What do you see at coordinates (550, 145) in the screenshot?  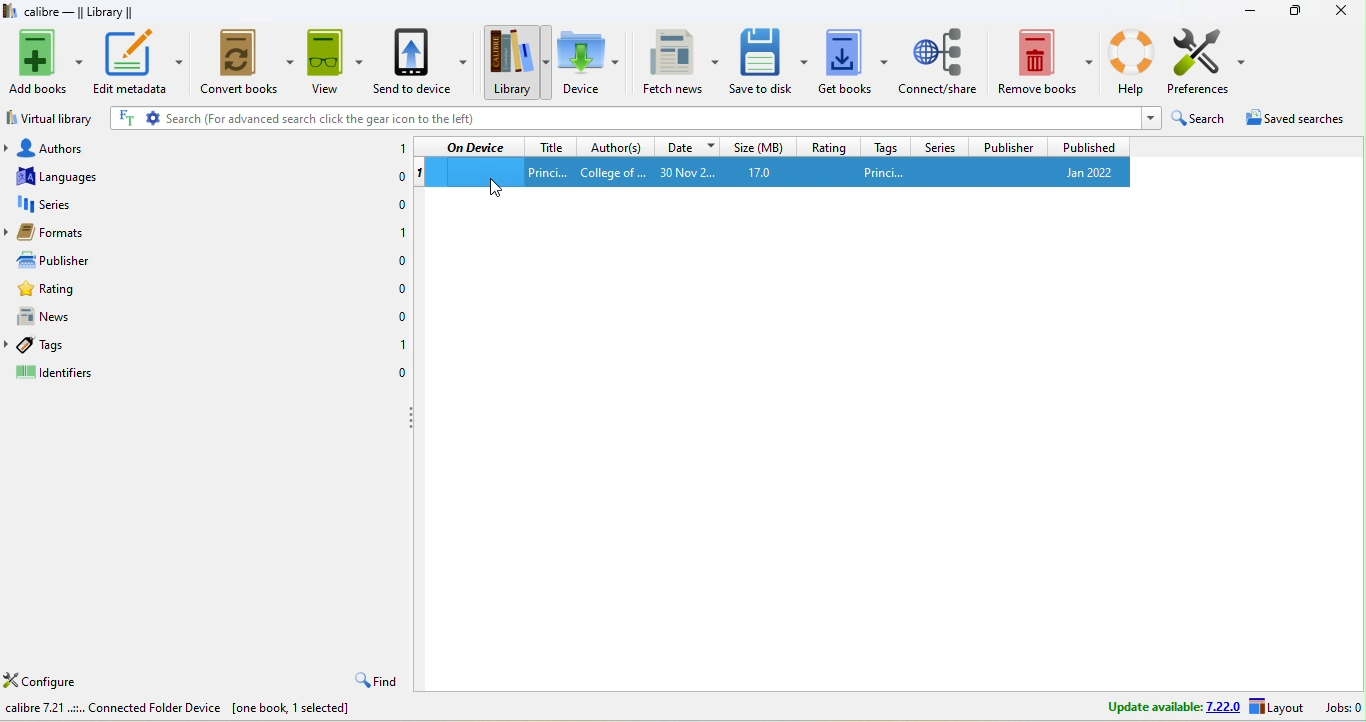 I see `title` at bounding box center [550, 145].